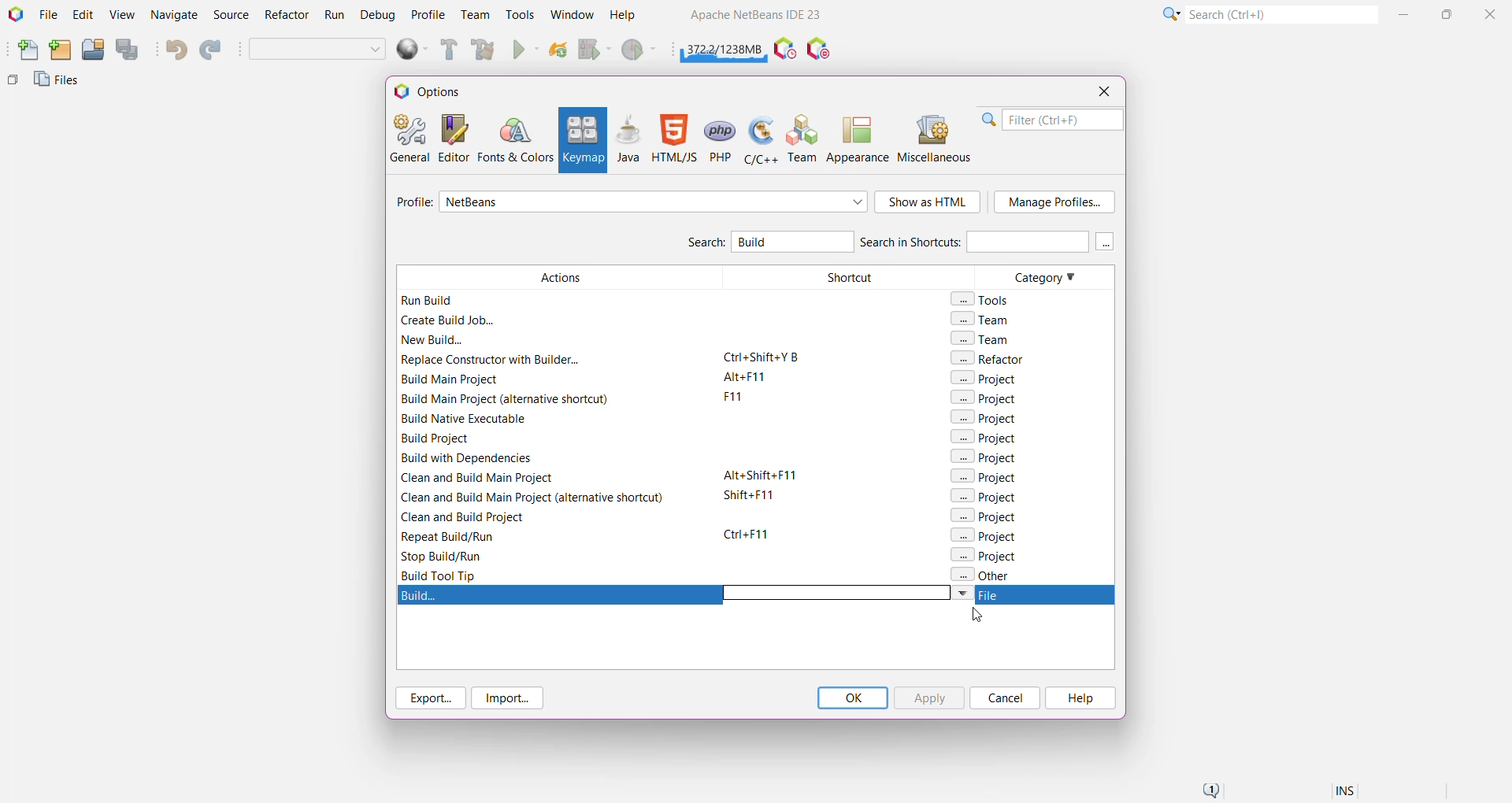 The width and height of the screenshot is (1512, 803). I want to click on Application name and Version, so click(754, 17).